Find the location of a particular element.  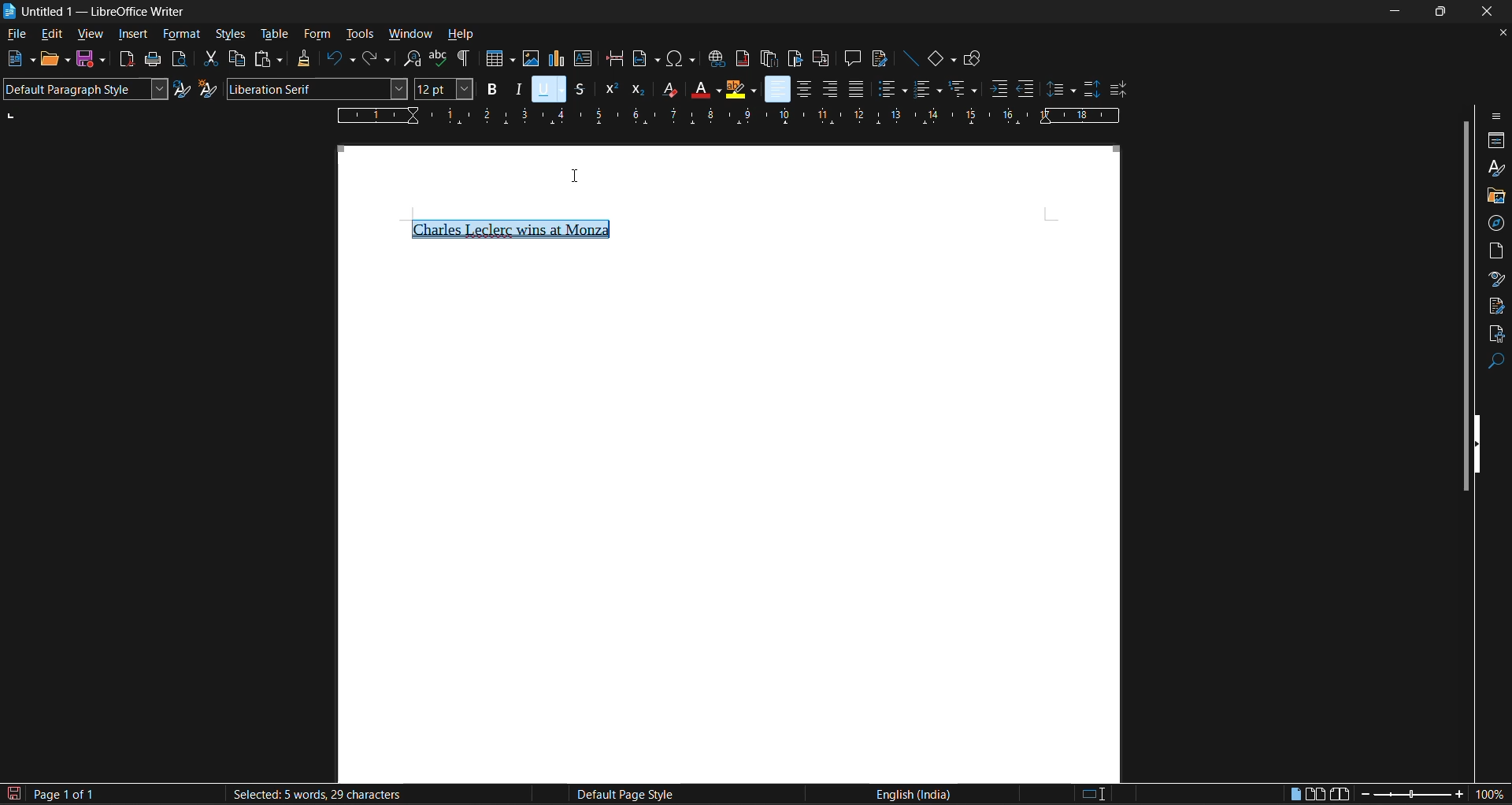

edit is located at coordinates (50, 35).